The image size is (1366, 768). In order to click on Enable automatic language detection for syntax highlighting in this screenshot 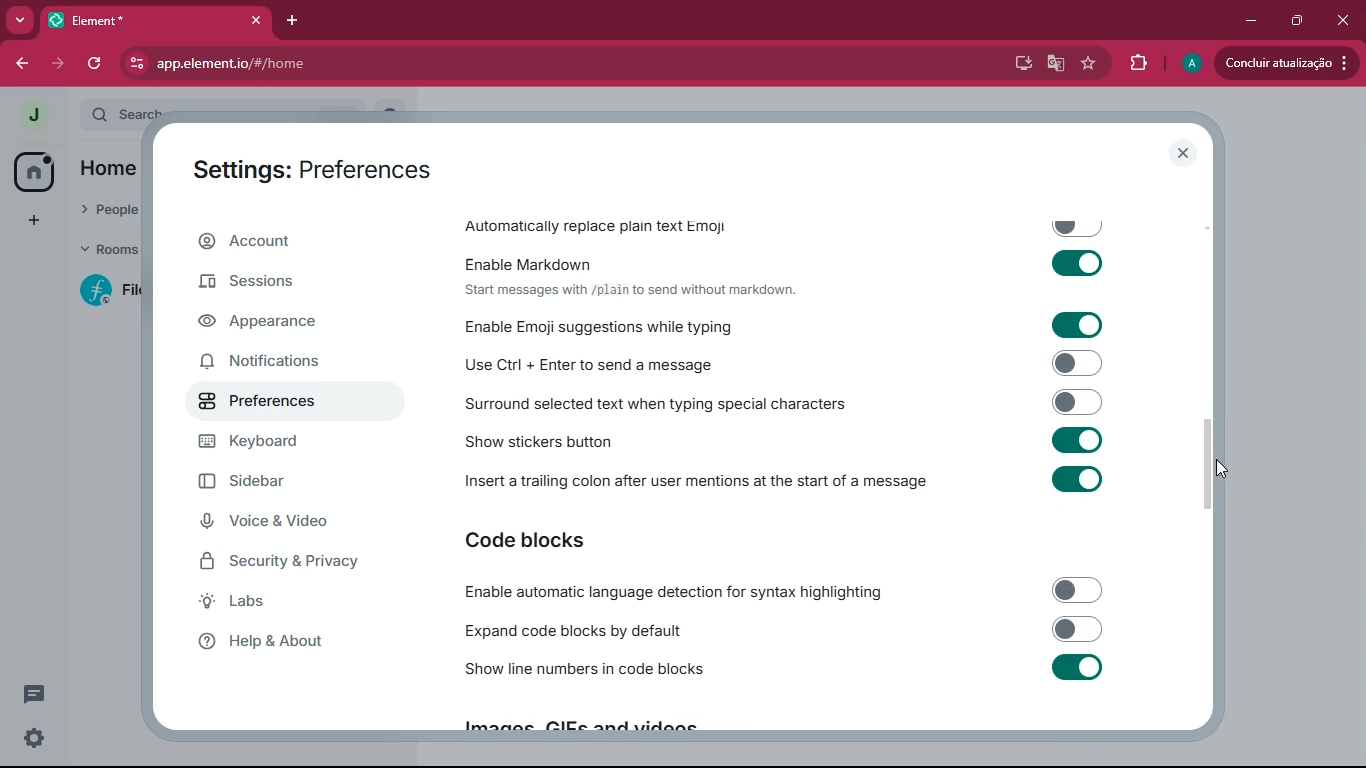, I will do `click(782, 592)`.